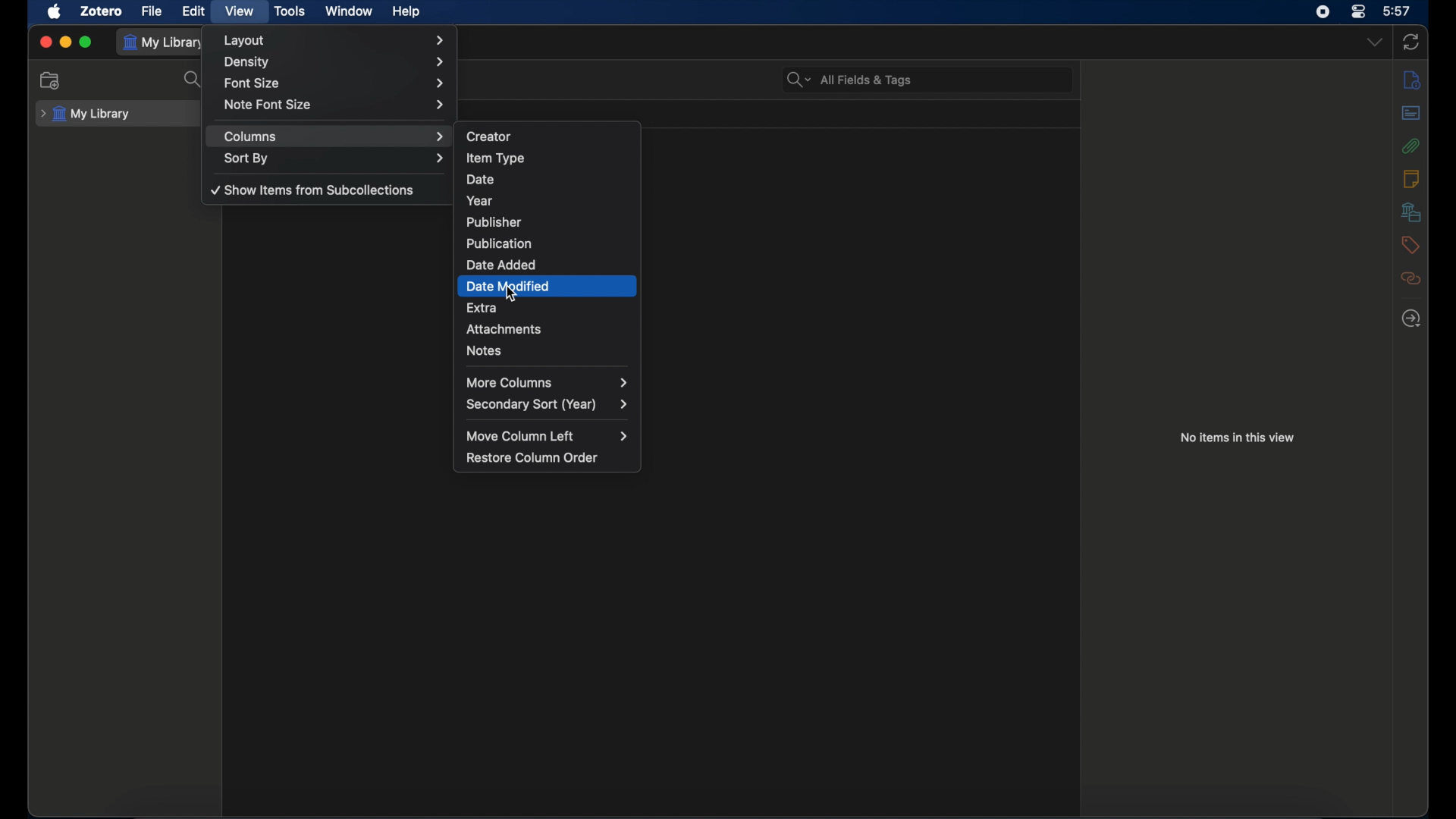  What do you see at coordinates (1410, 212) in the screenshot?
I see `libraries` at bounding box center [1410, 212].